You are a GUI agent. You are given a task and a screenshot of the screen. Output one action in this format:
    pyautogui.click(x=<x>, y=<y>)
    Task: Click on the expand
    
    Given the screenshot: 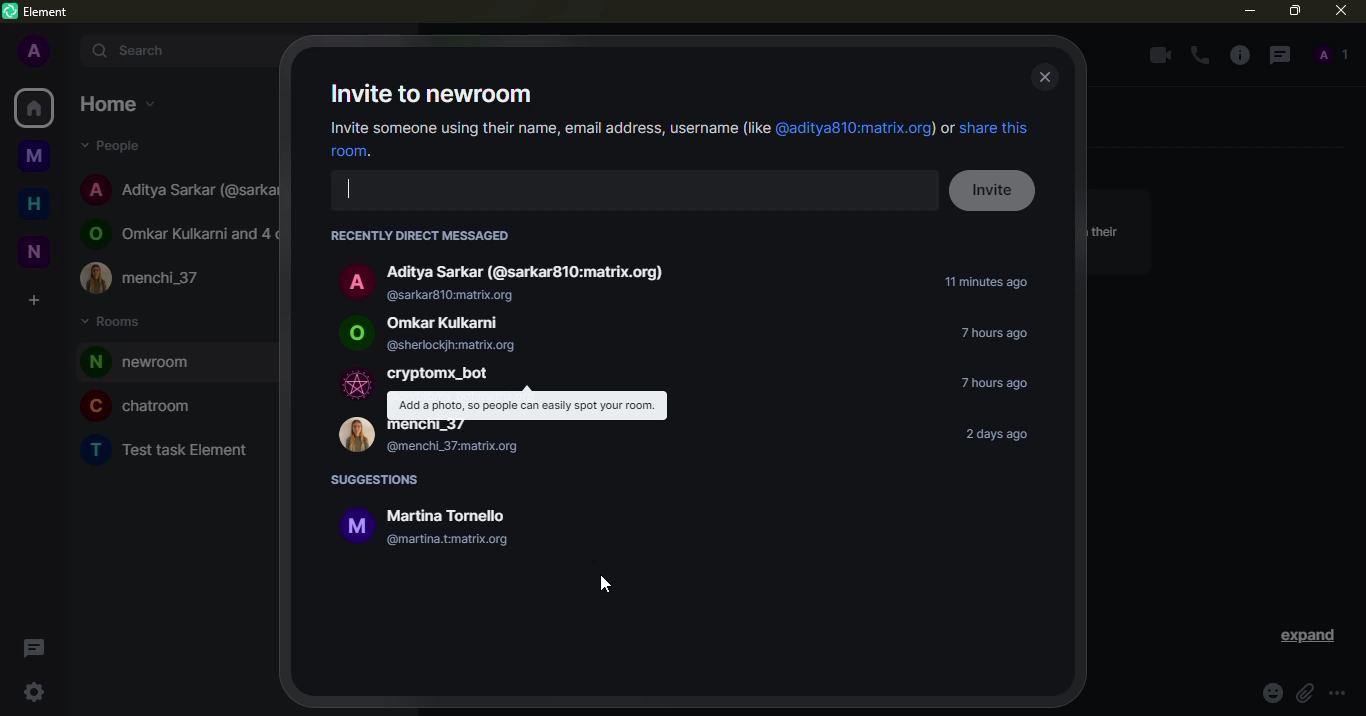 What is the action you would take?
    pyautogui.click(x=1309, y=638)
    